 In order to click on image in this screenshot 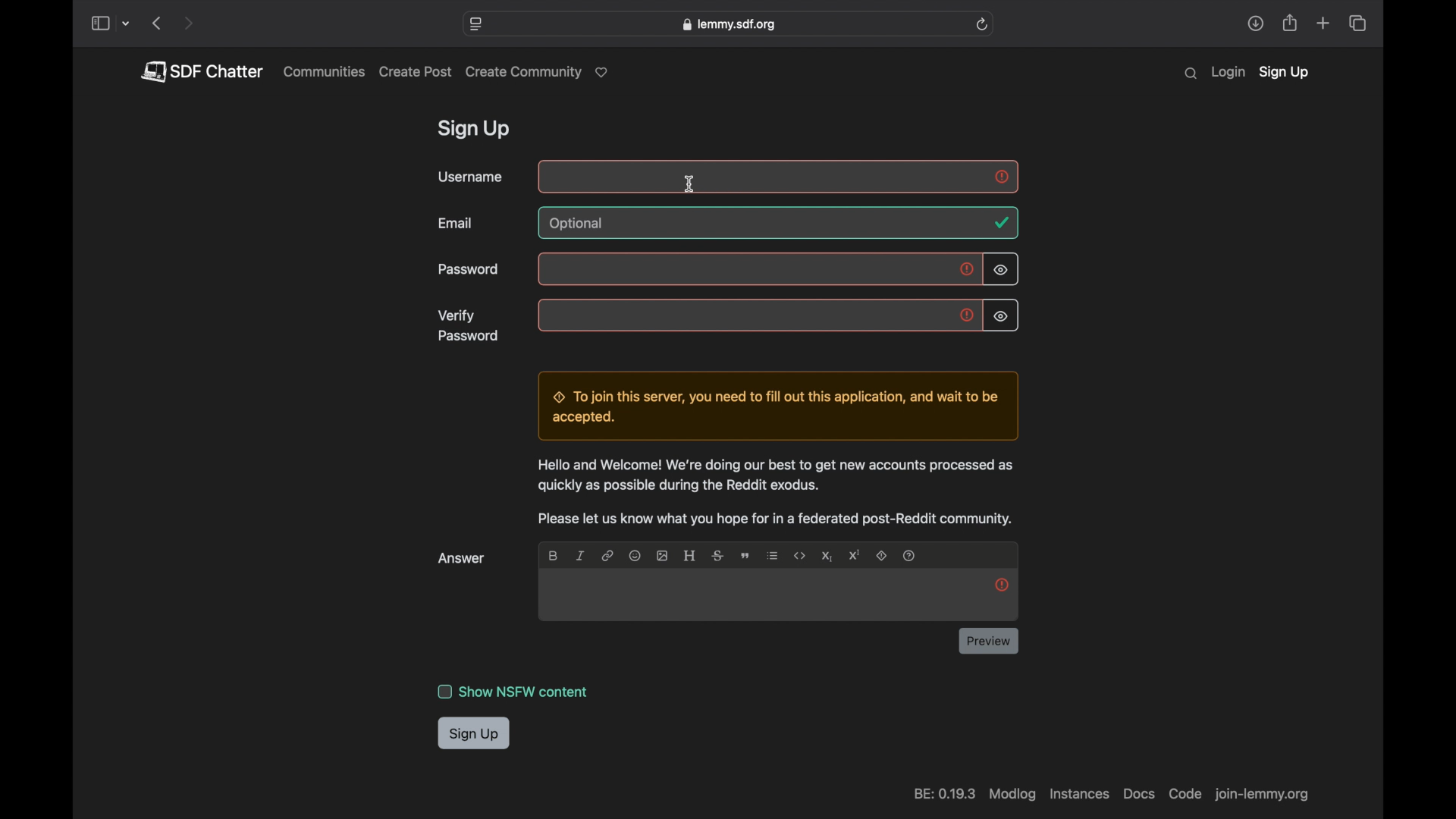, I will do `click(661, 555)`.